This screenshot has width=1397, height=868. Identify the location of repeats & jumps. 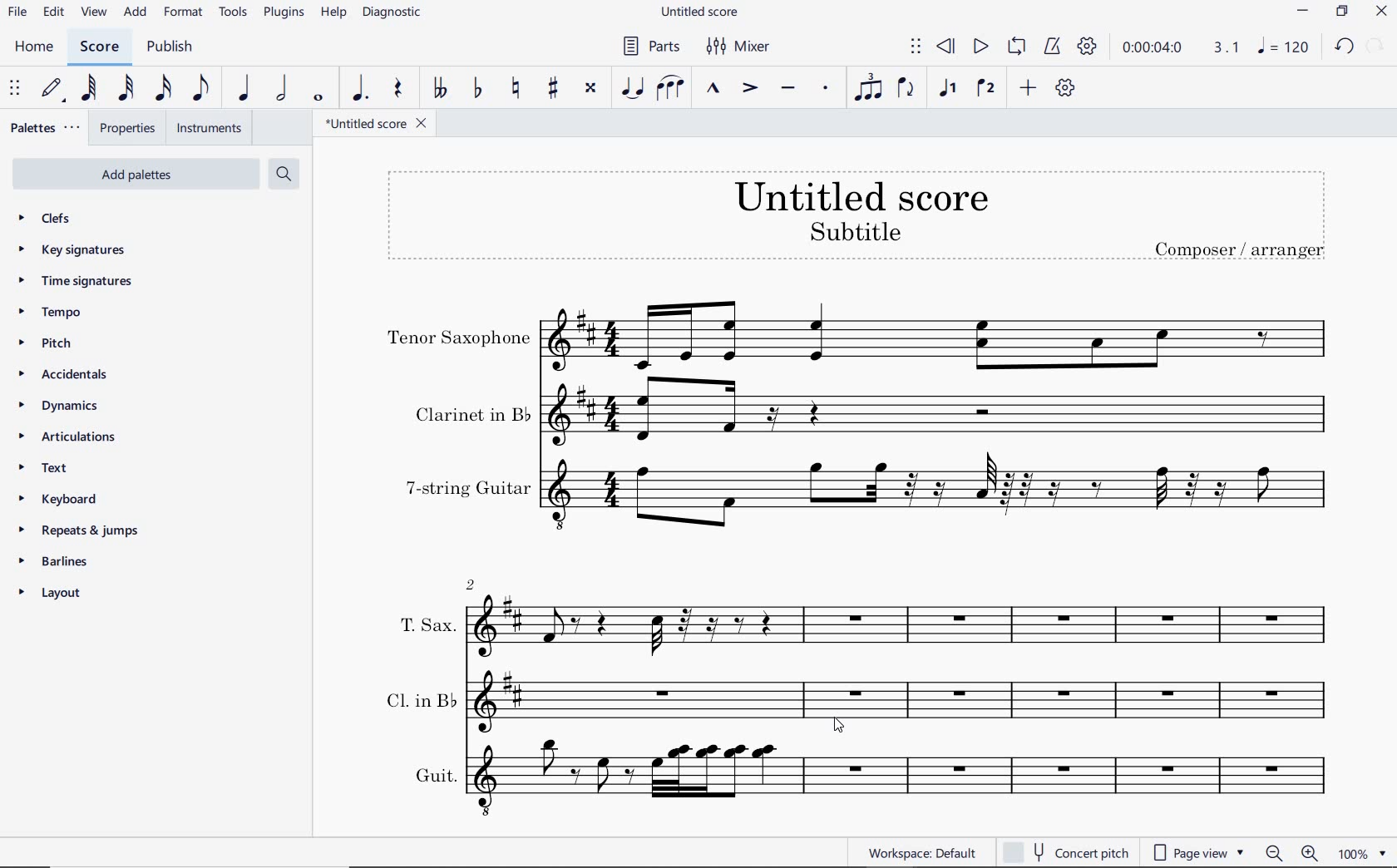
(82, 530).